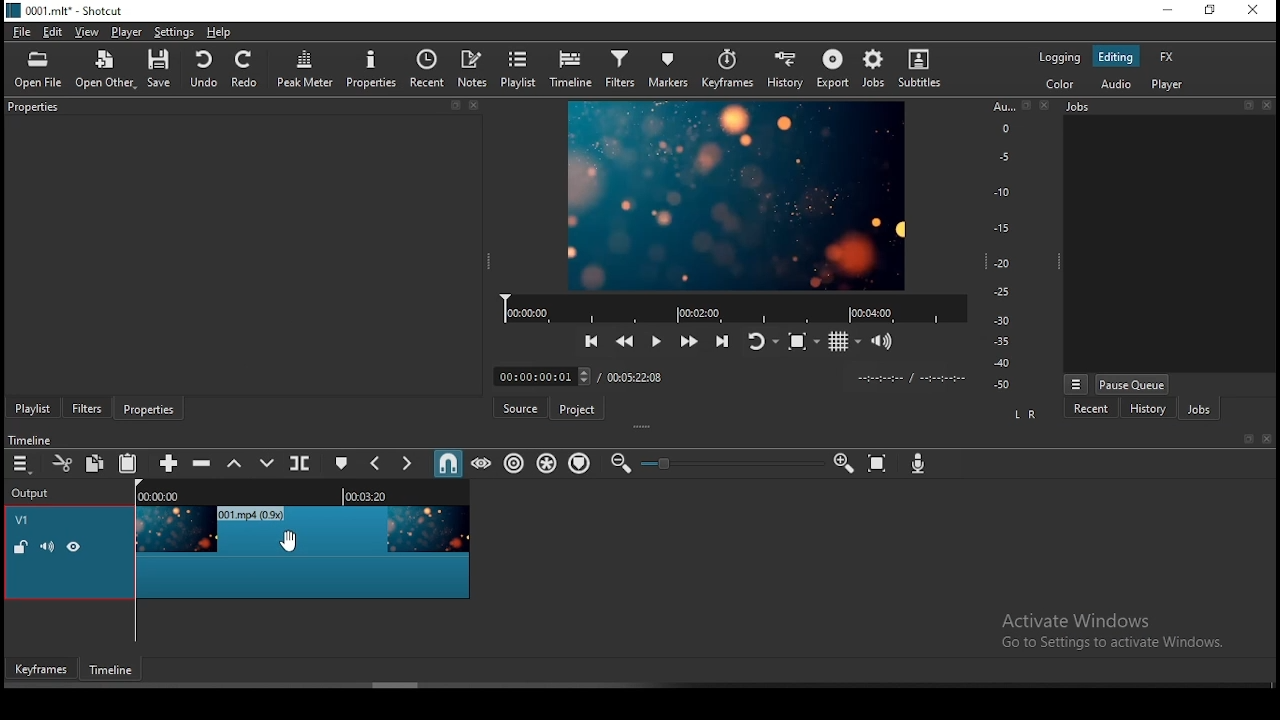 The width and height of the screenshot is (1280, 720). Describe the element at coordinates (30, 440) in the screenshot. I see `timeline` at that location.